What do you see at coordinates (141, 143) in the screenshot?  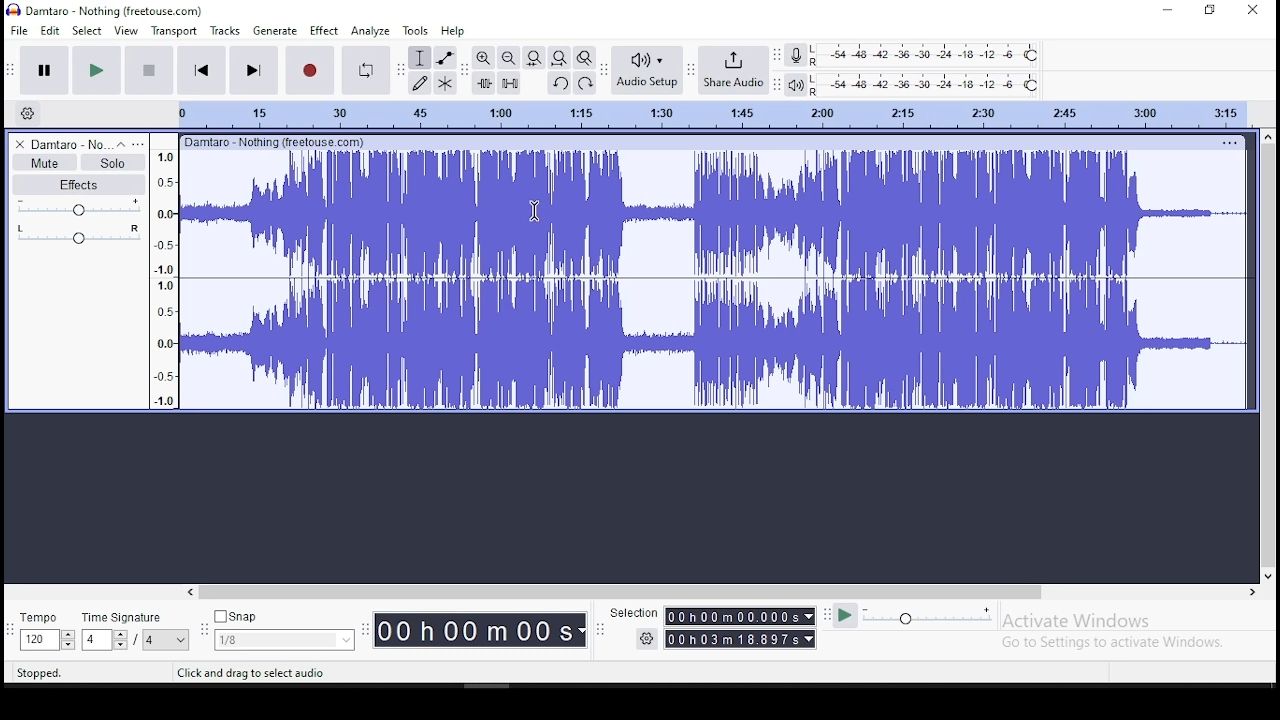 I see `open menu` at bounding box center [141, 143].